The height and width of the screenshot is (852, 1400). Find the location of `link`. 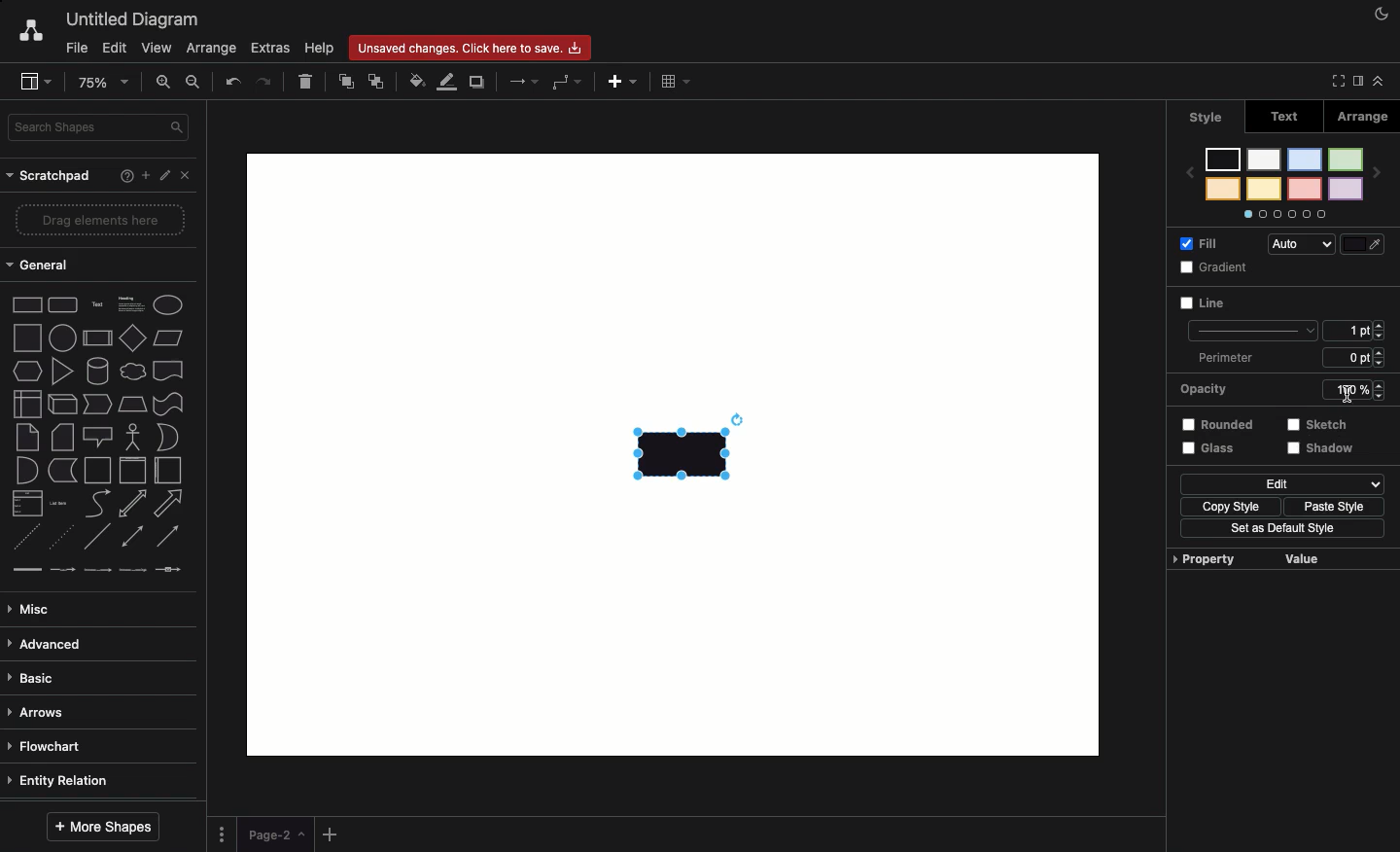

link is located at coordinates (24, 569).